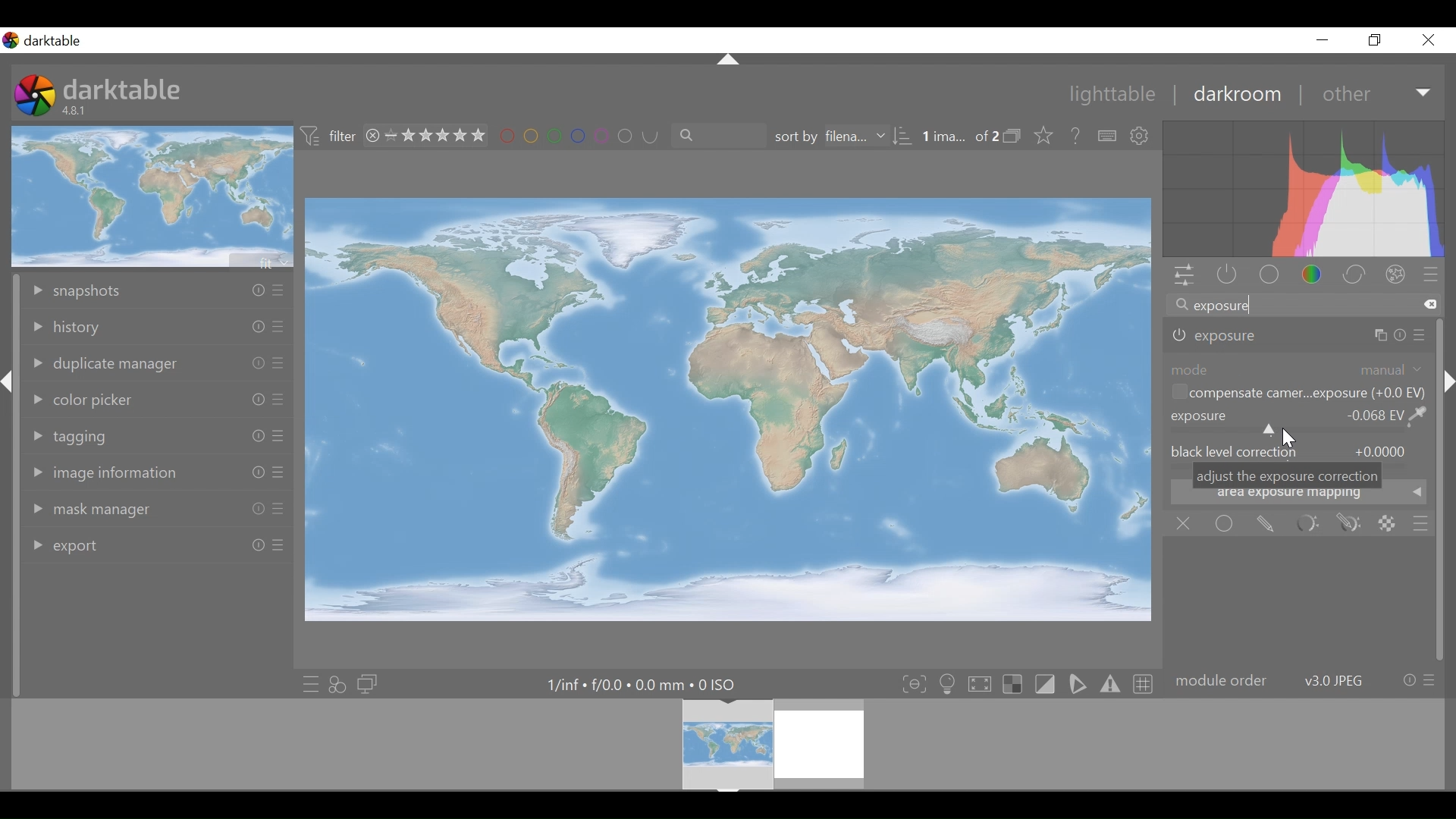  What do you see at coordinates (979, 684) in the screenshot?
I see `toggle high quality processing` at bounding box center [979, 684].